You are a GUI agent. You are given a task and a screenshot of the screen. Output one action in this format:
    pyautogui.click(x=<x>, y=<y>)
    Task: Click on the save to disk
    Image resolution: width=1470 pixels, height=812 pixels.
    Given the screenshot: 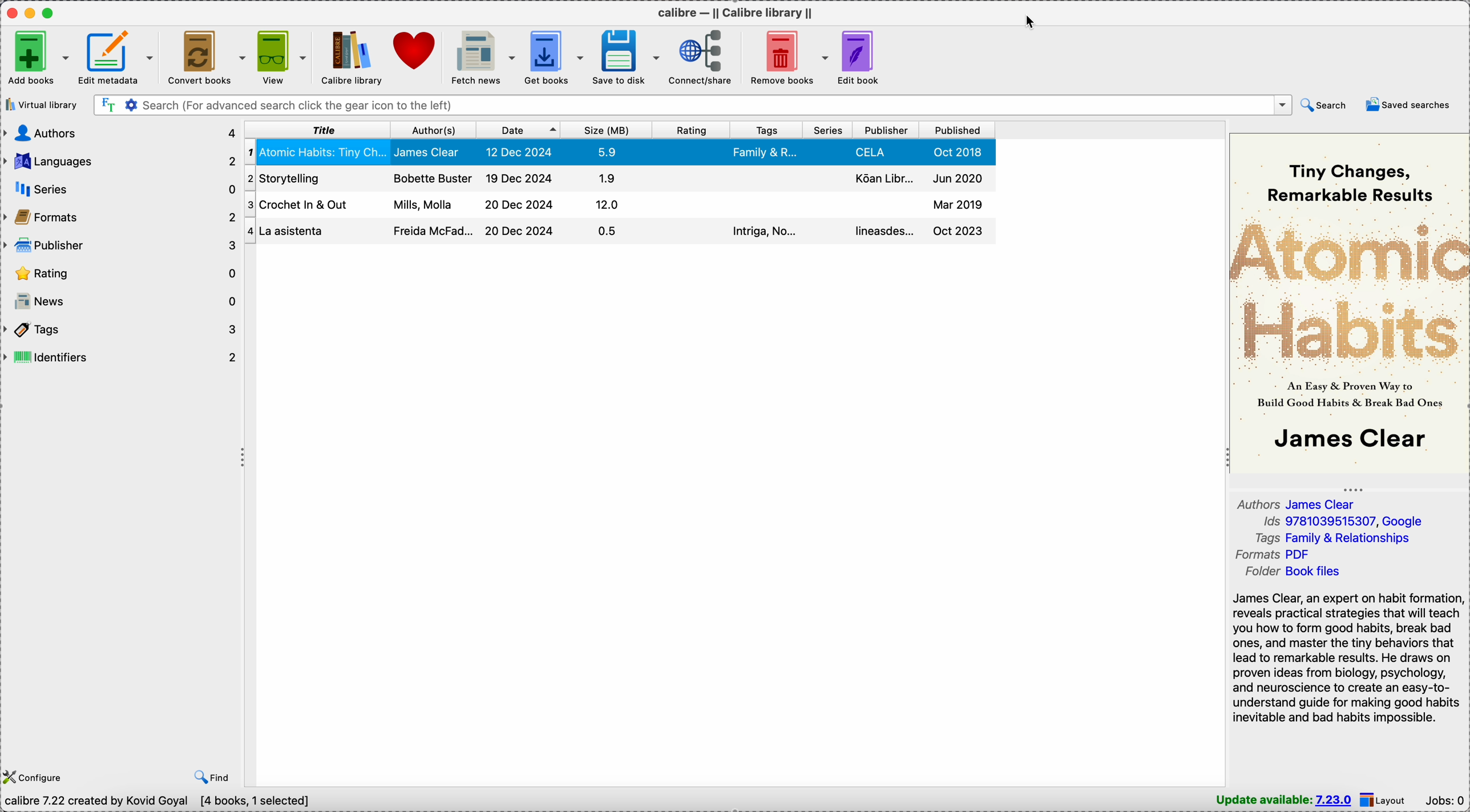 What is the action you would take?
    pyautogui.click(x=627, y=56)
    